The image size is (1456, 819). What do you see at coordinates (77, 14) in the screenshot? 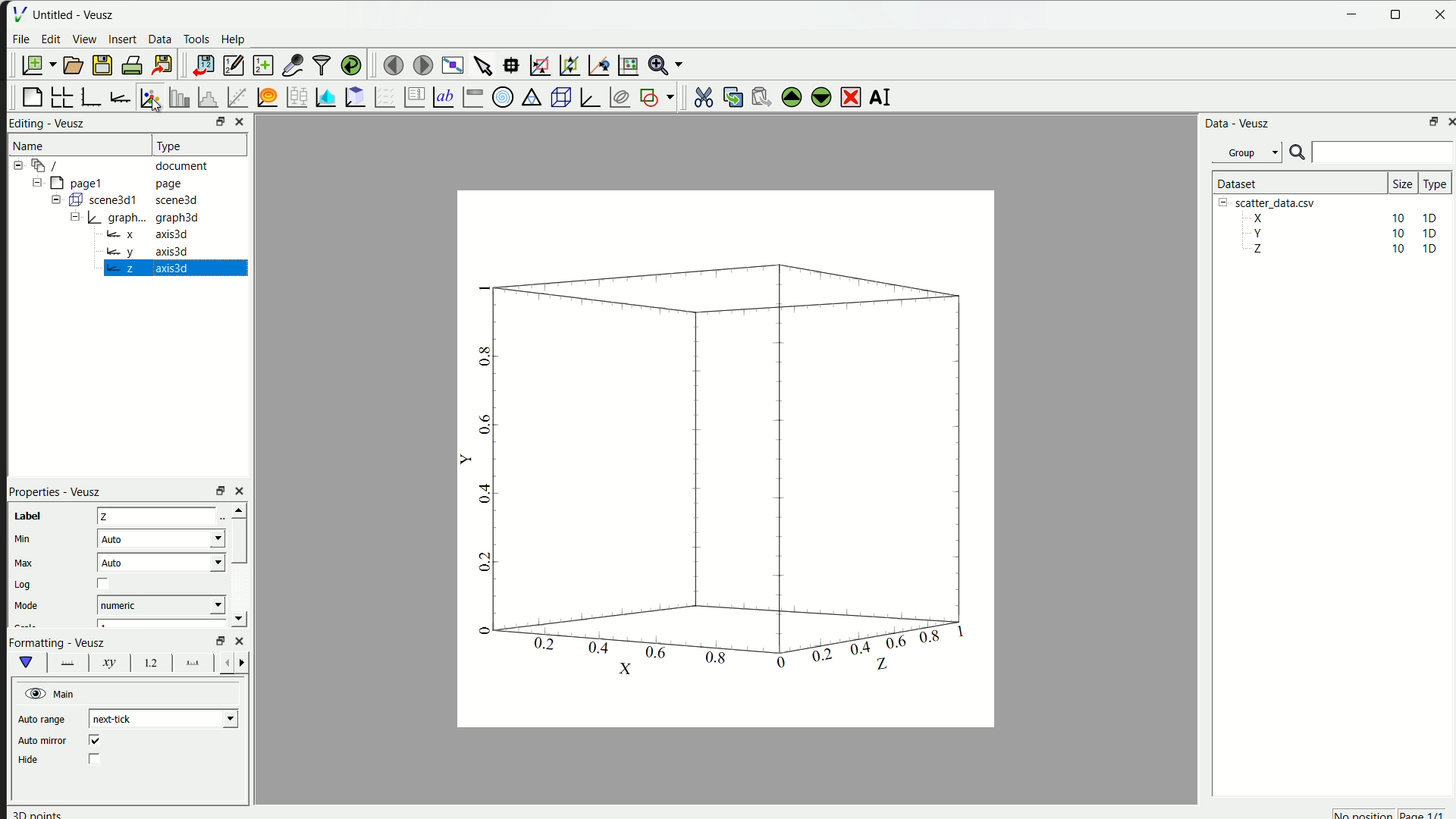
I see `Untitled - Veusz` at bounding box center [77, 14].